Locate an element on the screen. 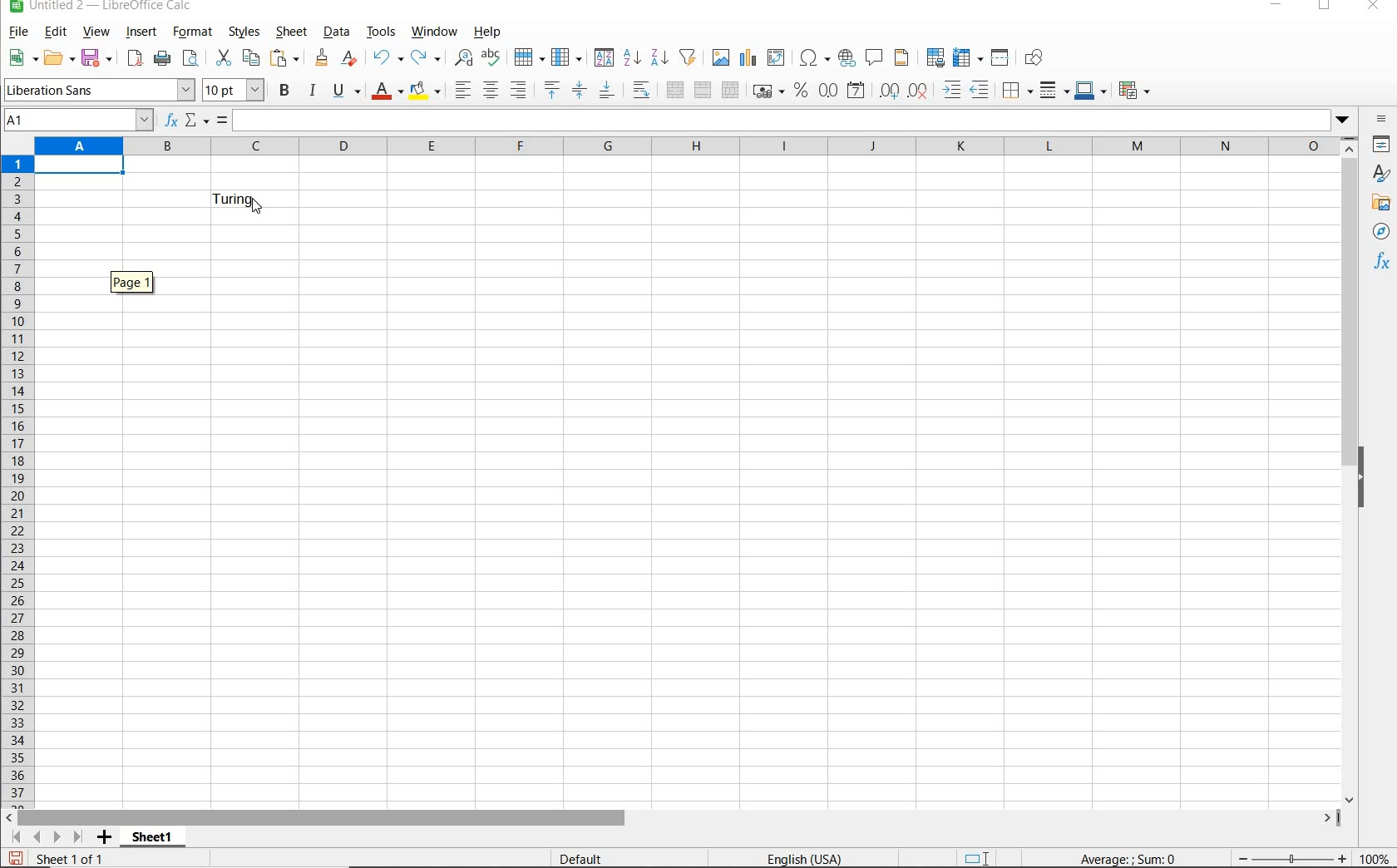 This screenshot has height=868, width=1397. FREEZE ROWS AND ARROWS is located at coordinates (969, 58).